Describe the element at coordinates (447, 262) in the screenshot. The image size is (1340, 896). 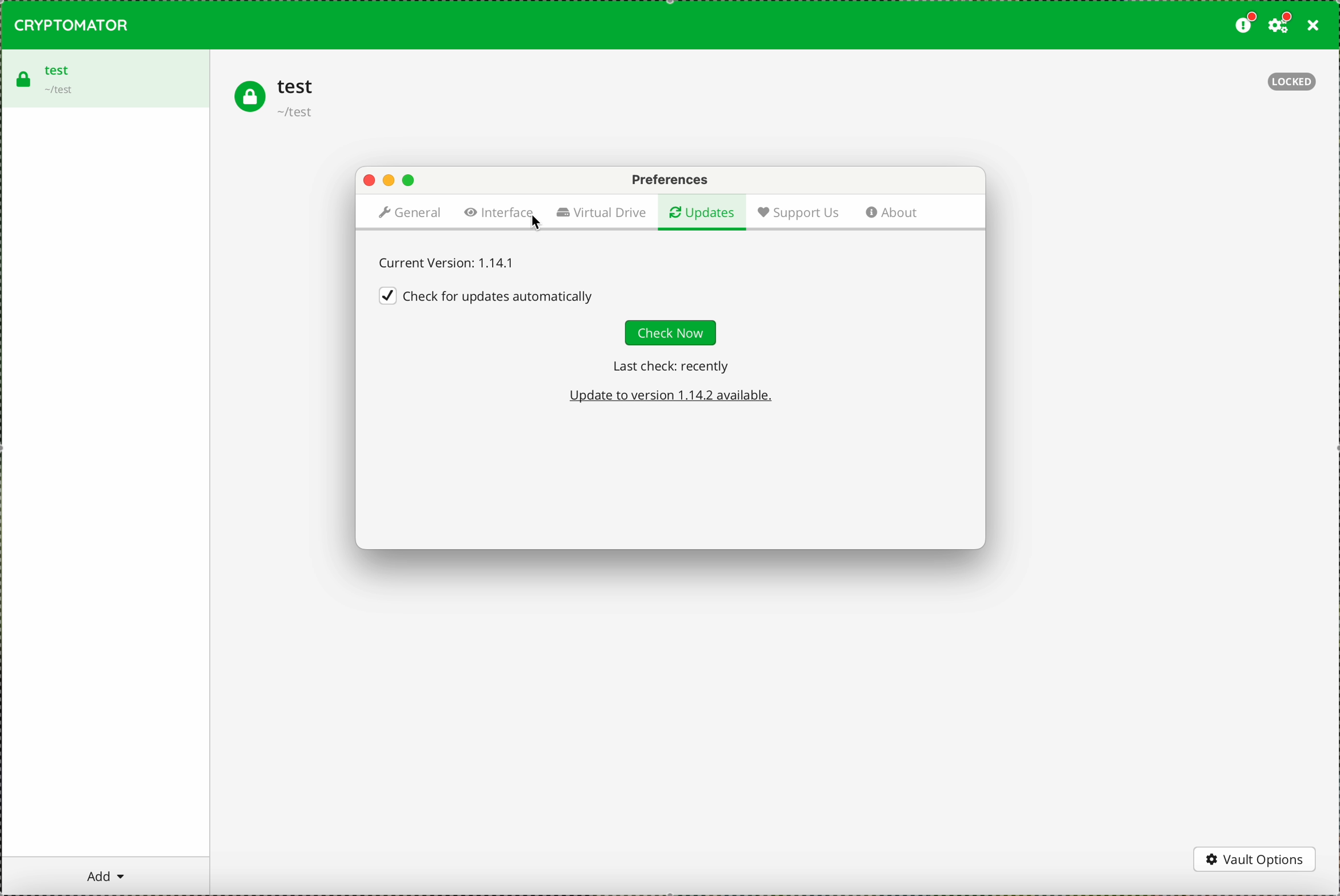
I see `current version` at that location.